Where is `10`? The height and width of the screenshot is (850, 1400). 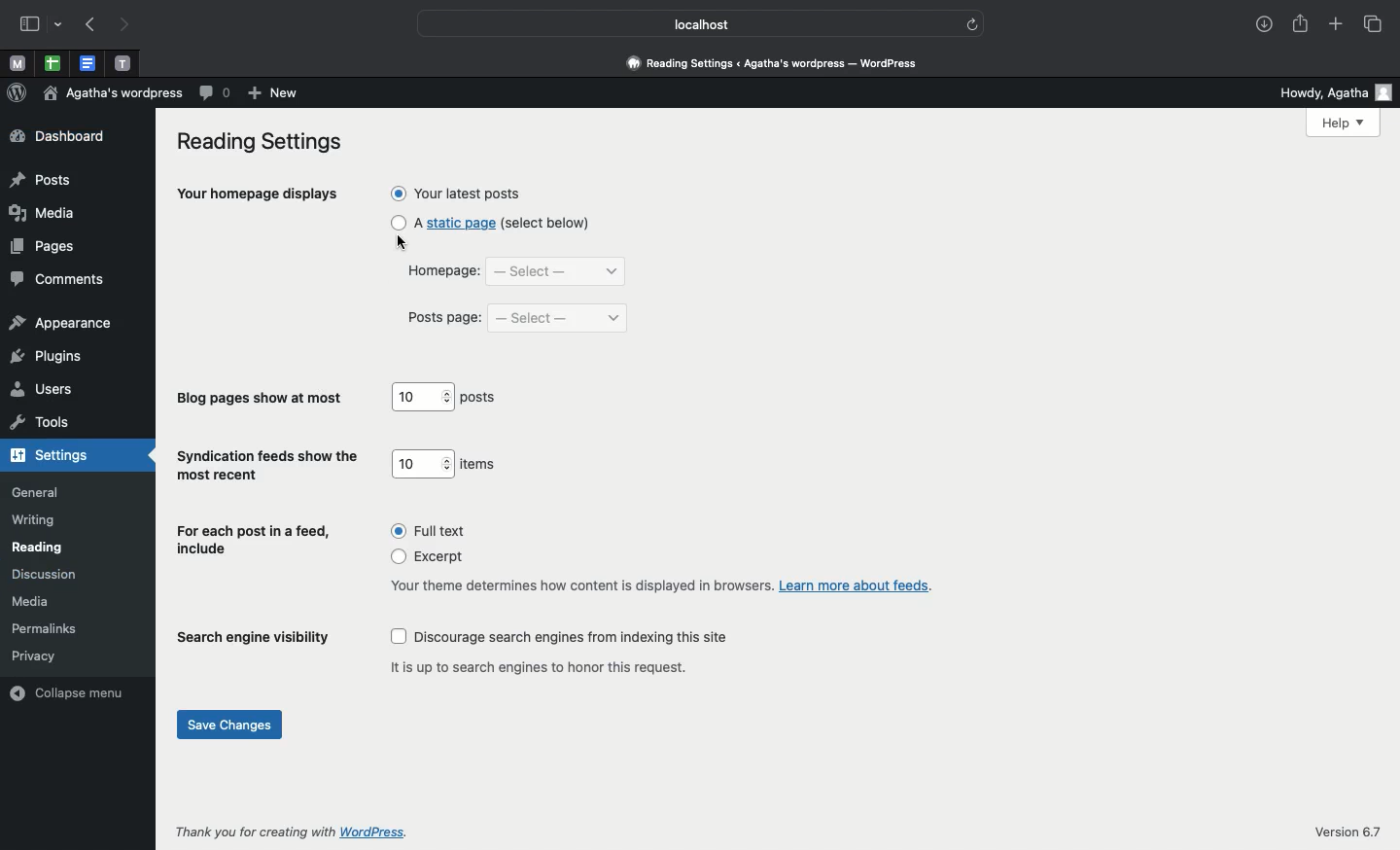 10 is located at coordinates (422, 397).